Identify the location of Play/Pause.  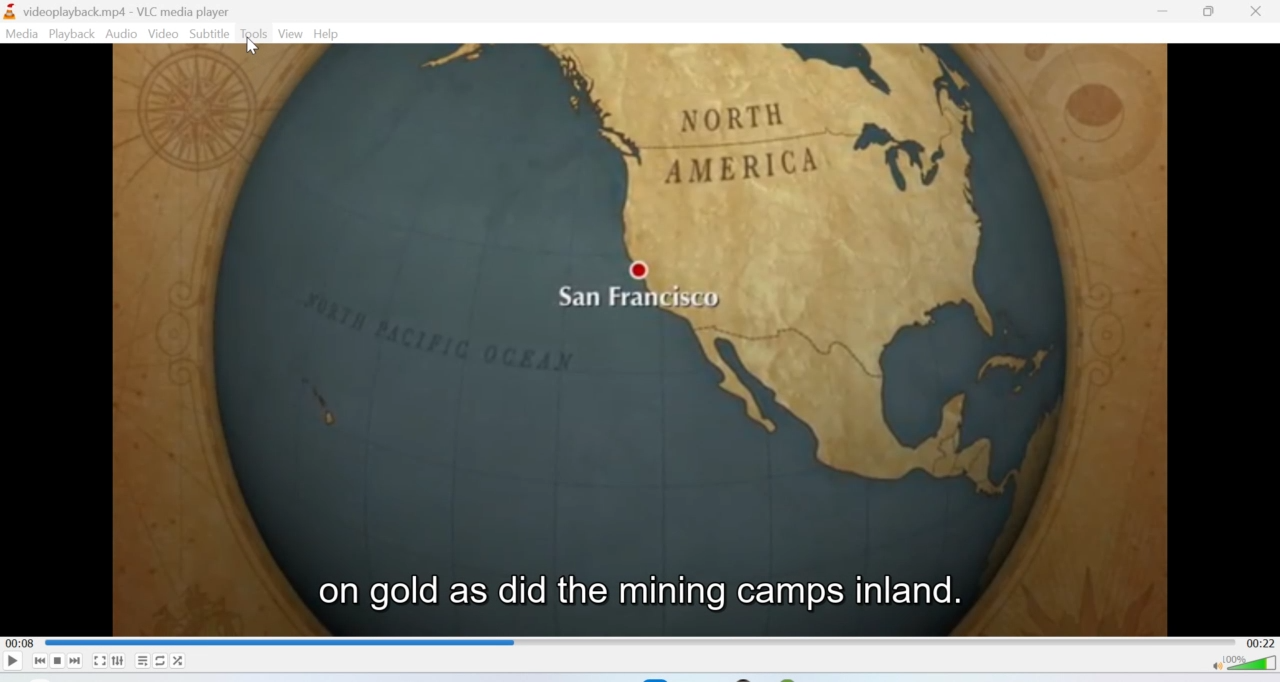
(13, 661).